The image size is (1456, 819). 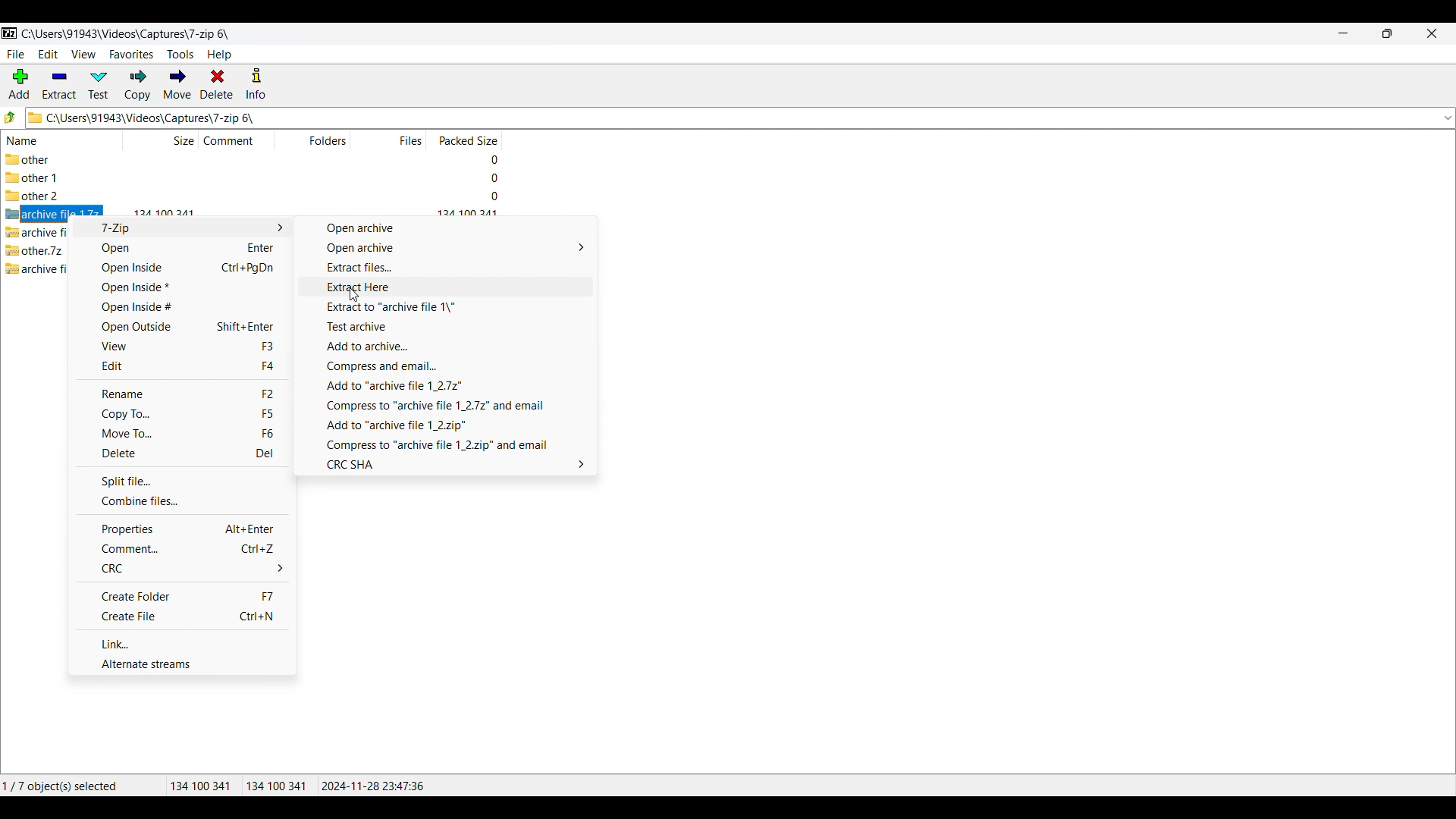 I want to click on Comment column, so click(x=237, y=140).